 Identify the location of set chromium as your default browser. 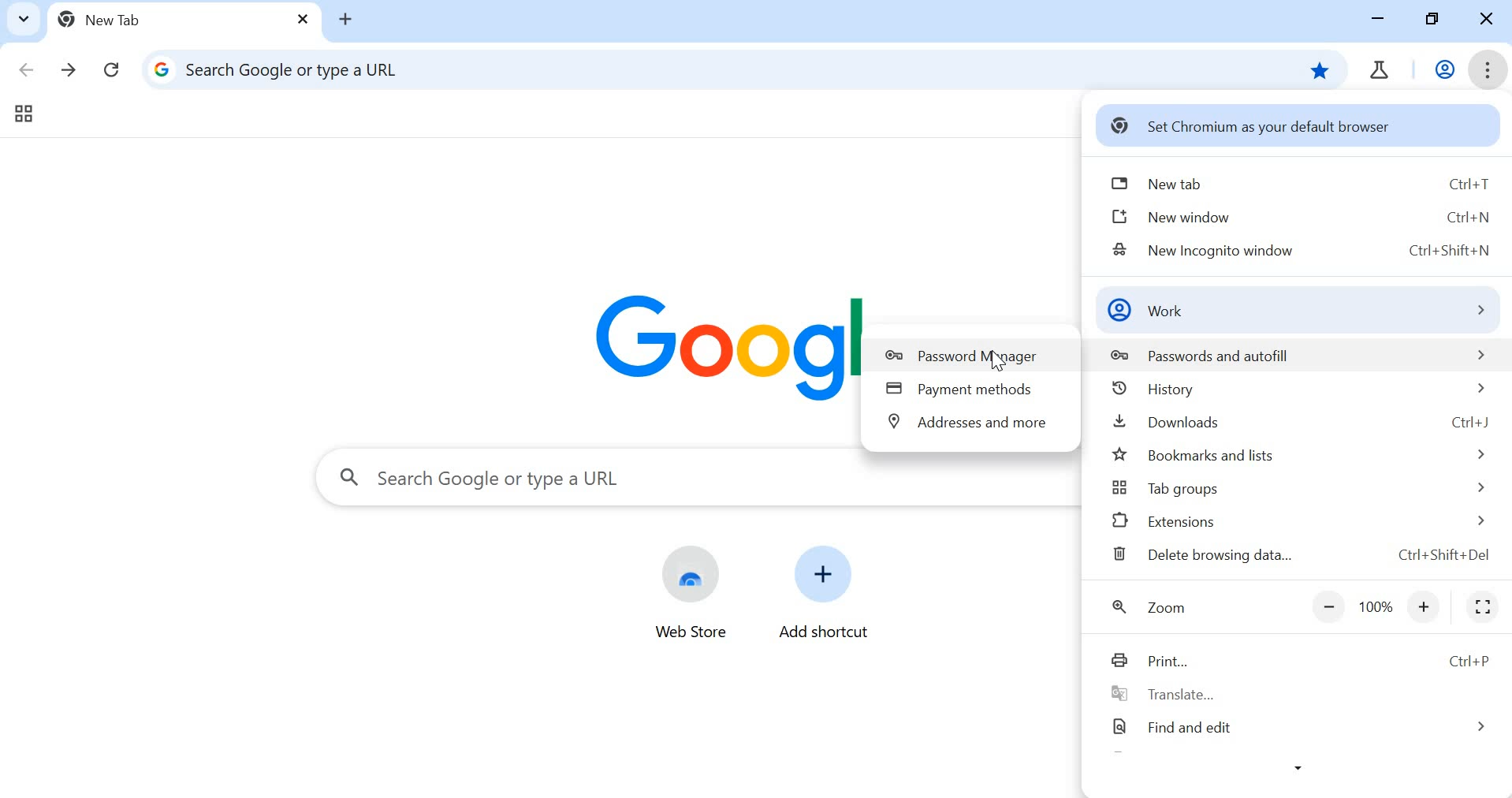
(1276, 127).